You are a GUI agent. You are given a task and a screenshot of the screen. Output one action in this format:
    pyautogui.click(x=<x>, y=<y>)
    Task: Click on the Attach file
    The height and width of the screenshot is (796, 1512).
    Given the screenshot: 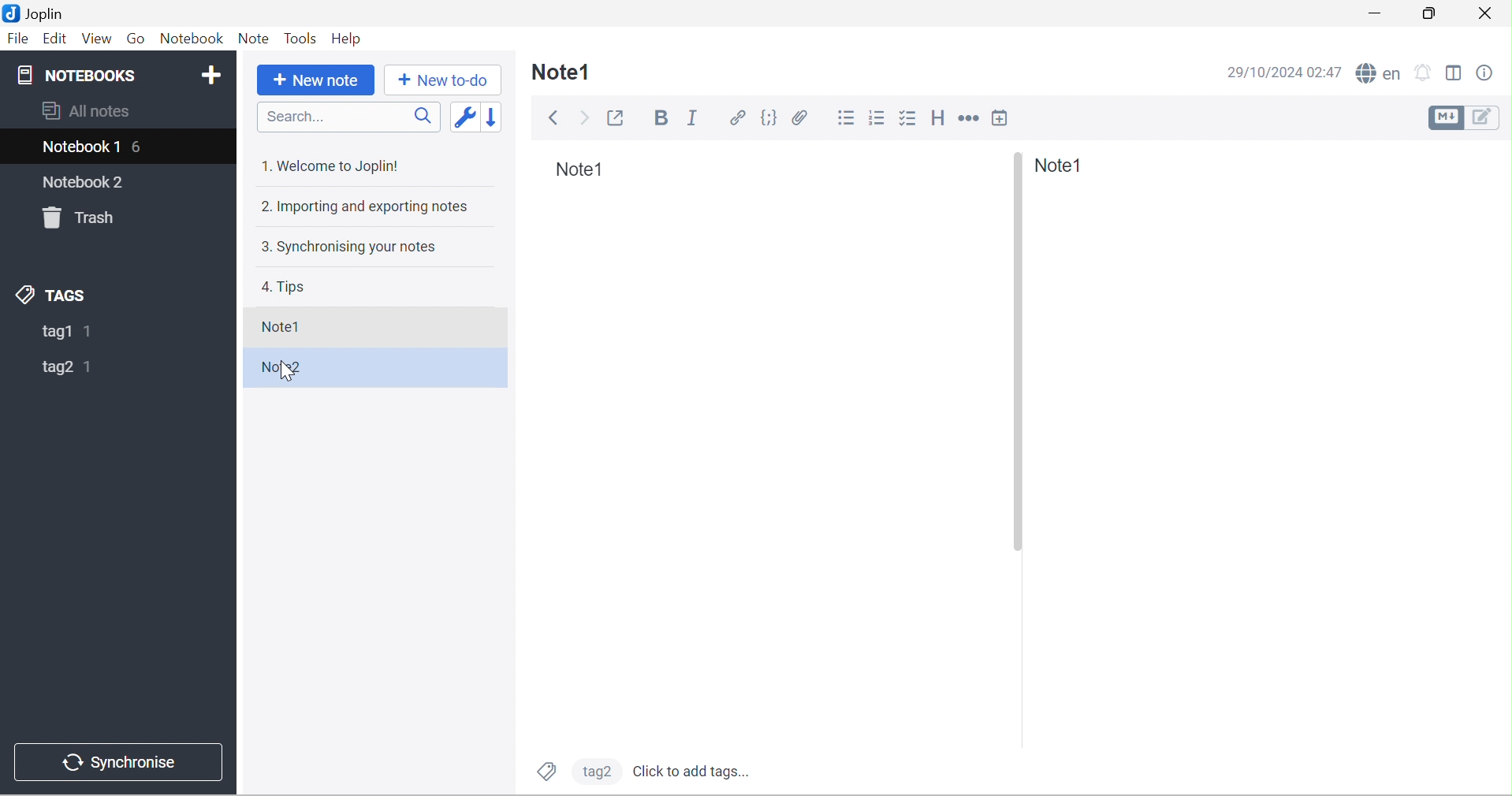 What is the action you would take?
    pyautogui.click(x=799, y=117)
    